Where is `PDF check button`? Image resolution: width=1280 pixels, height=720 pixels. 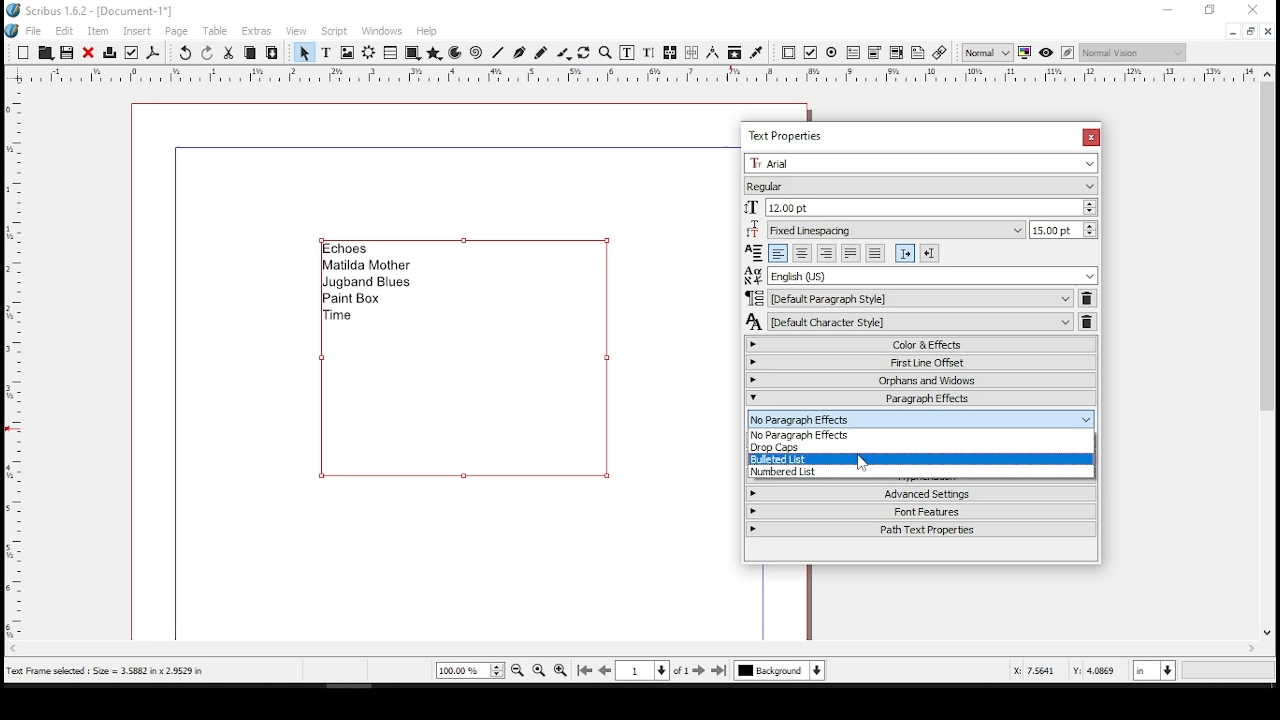 PDF check button is located at coordinates (811, 53).